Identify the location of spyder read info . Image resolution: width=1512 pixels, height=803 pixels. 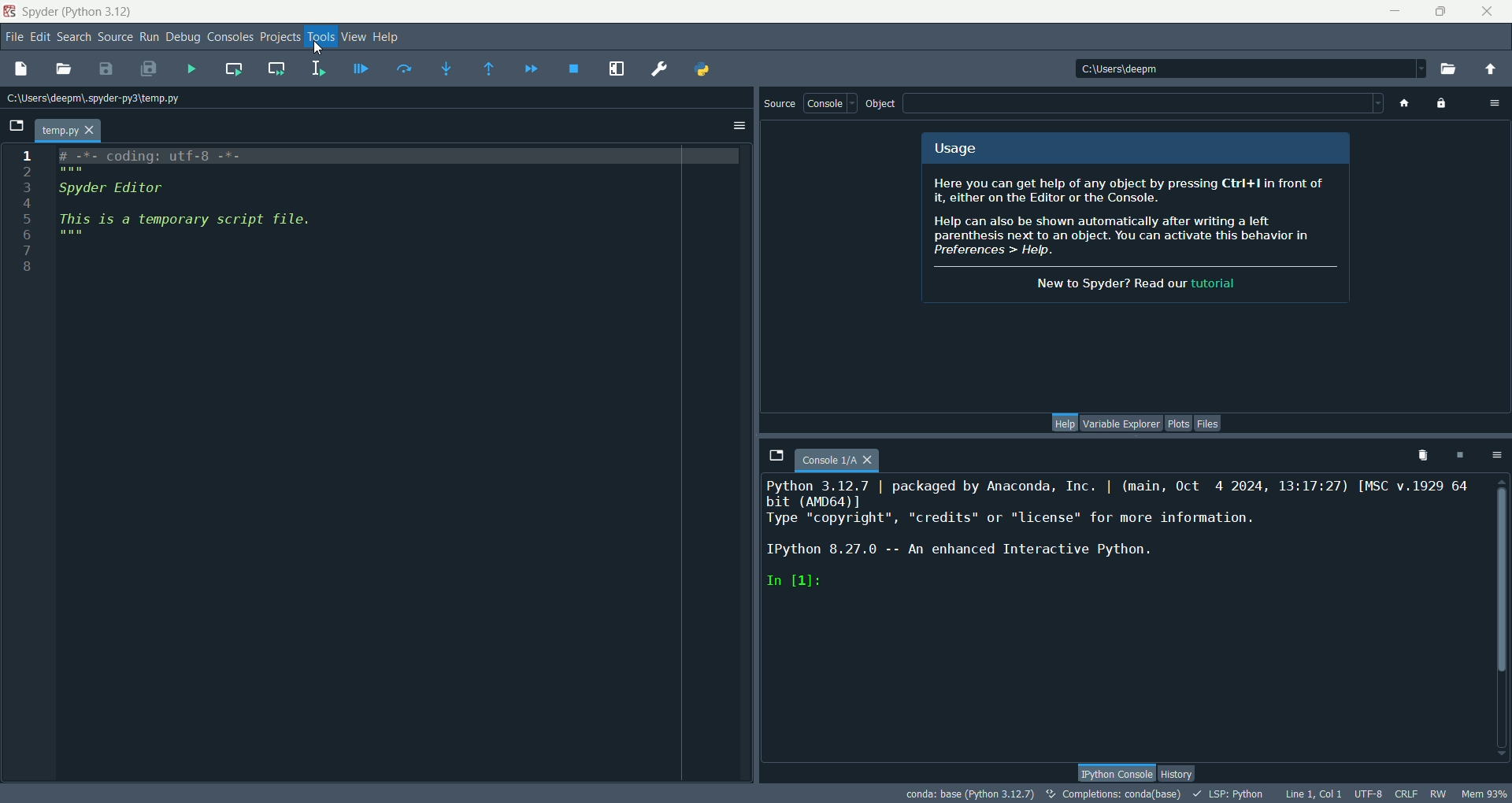
(1140, 238).